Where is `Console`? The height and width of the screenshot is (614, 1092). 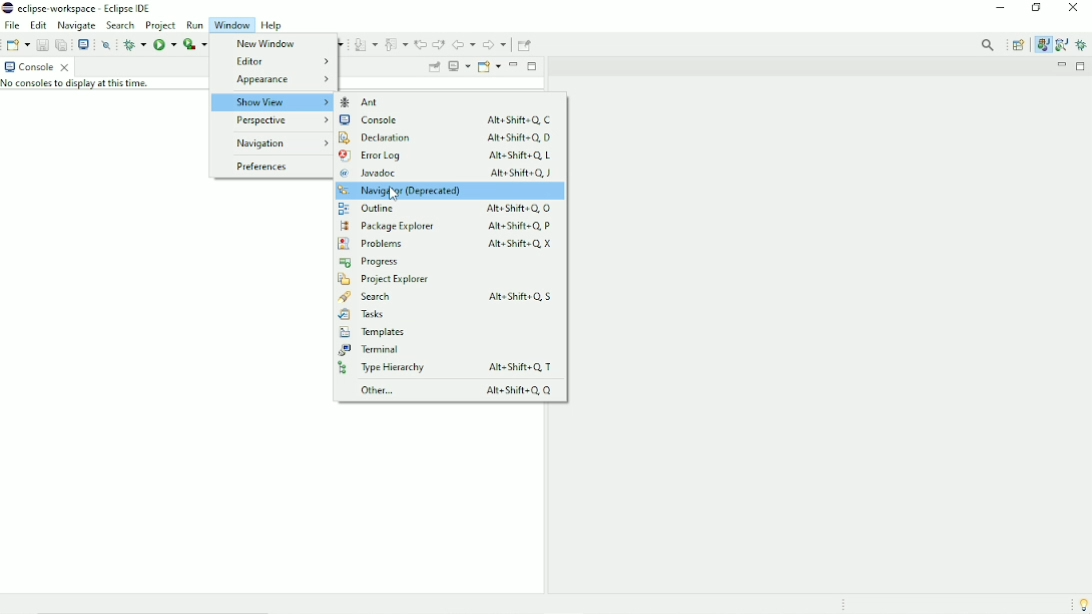 Console is located at coordinates (445, 121).